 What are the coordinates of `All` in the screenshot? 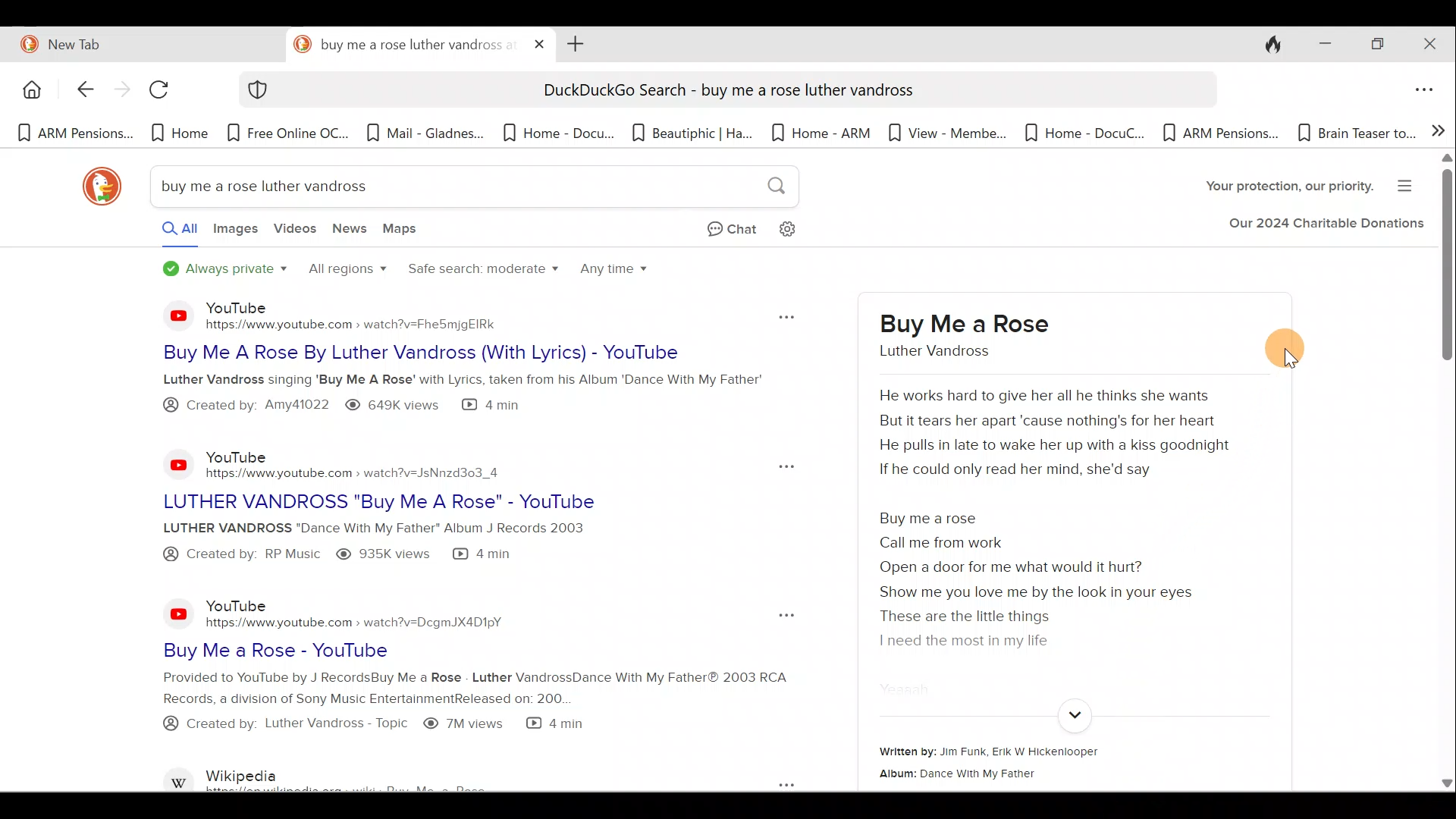 It's located at (165, 232).